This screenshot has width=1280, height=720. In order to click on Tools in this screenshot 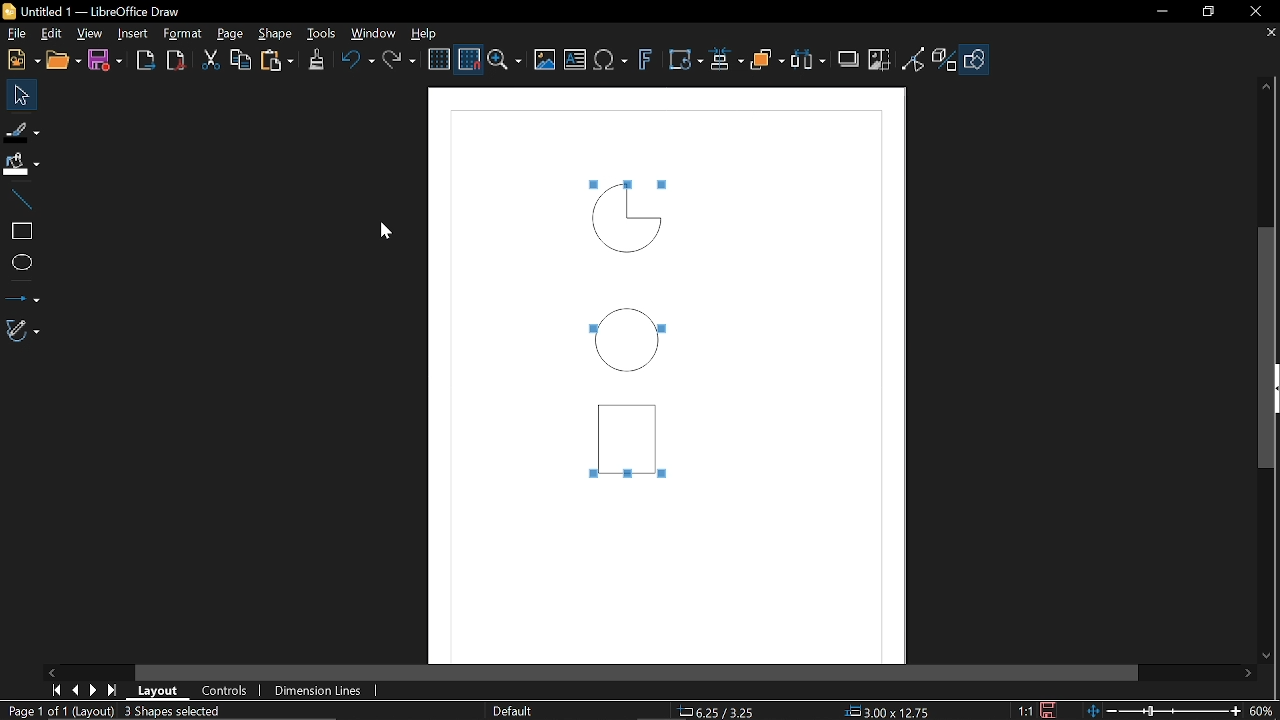, I will do `click(321, 34)`.